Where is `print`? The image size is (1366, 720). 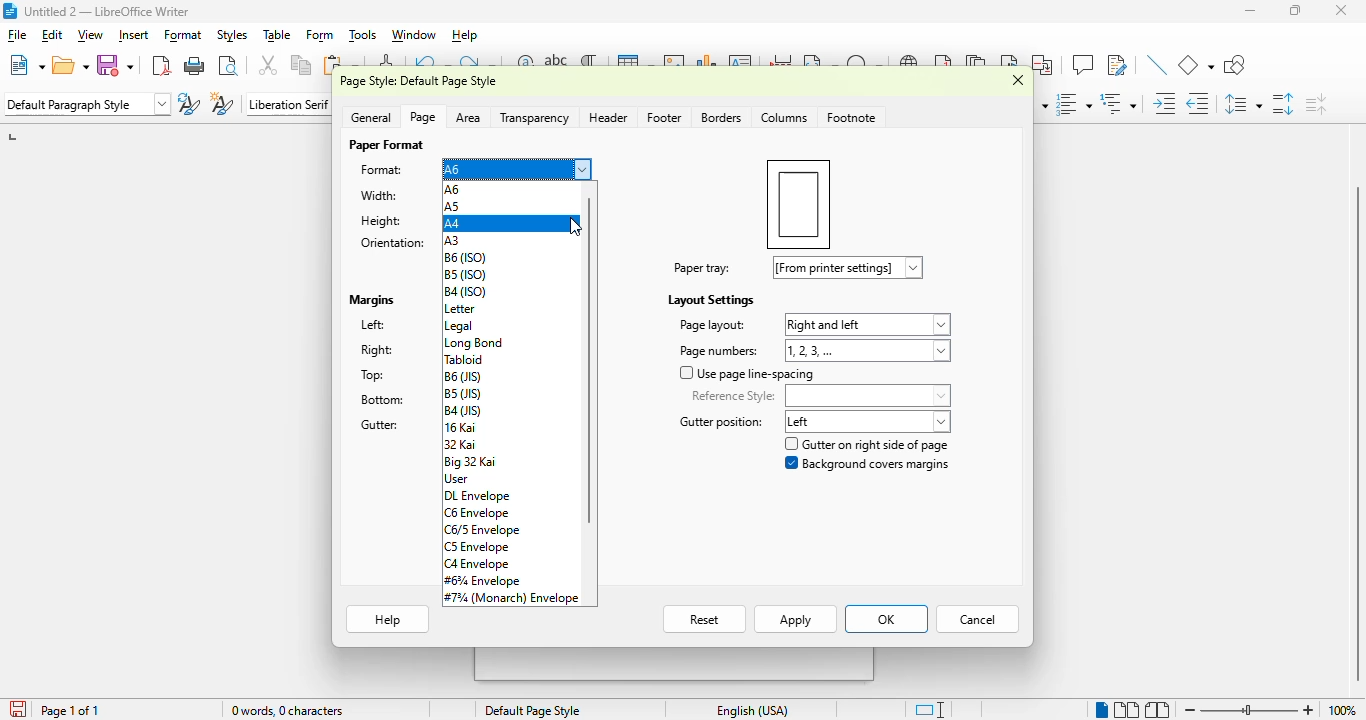
print is located at coordinates (196, 66).